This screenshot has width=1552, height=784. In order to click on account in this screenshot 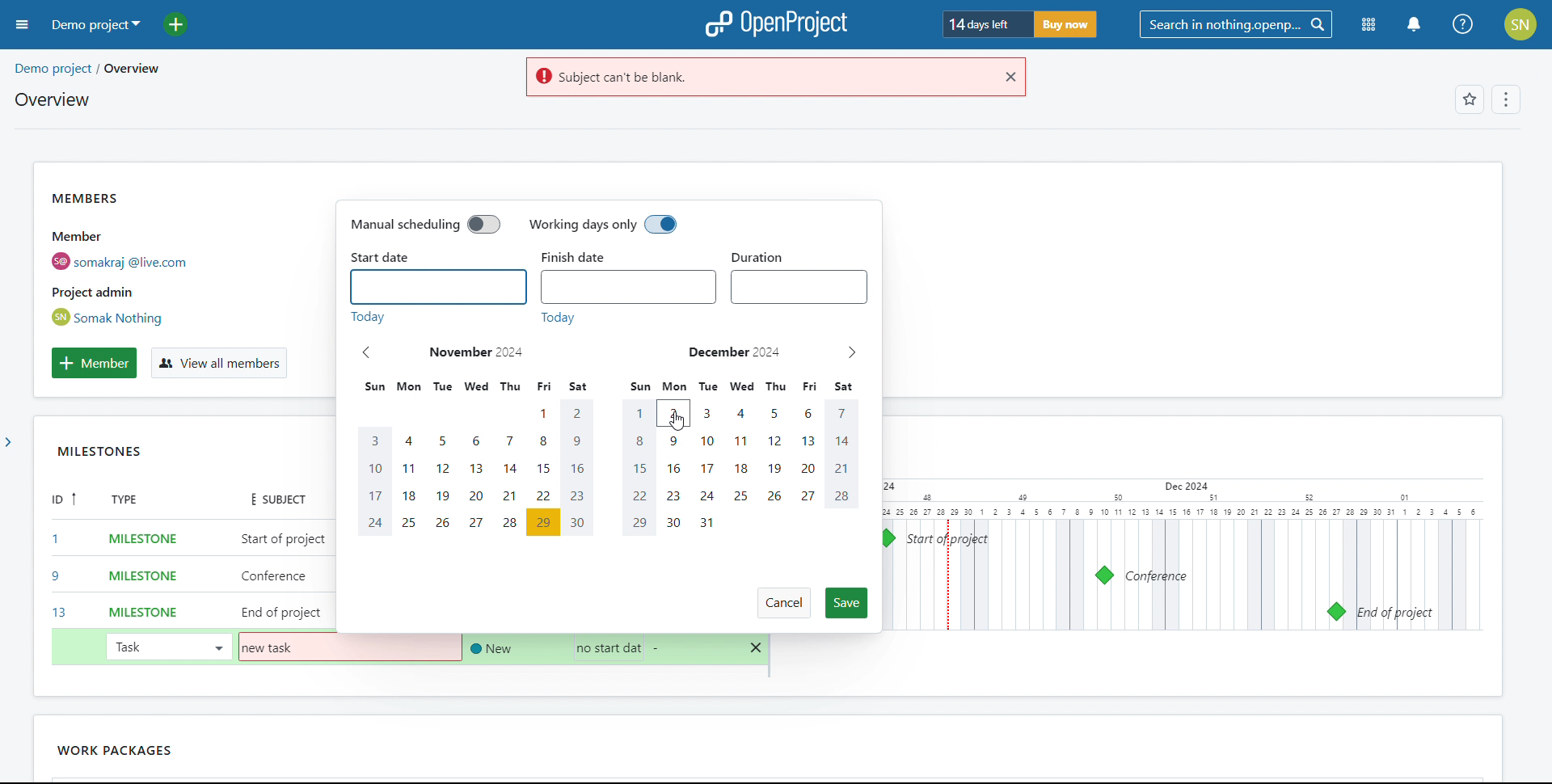, I will do `click(1521, 24)`.